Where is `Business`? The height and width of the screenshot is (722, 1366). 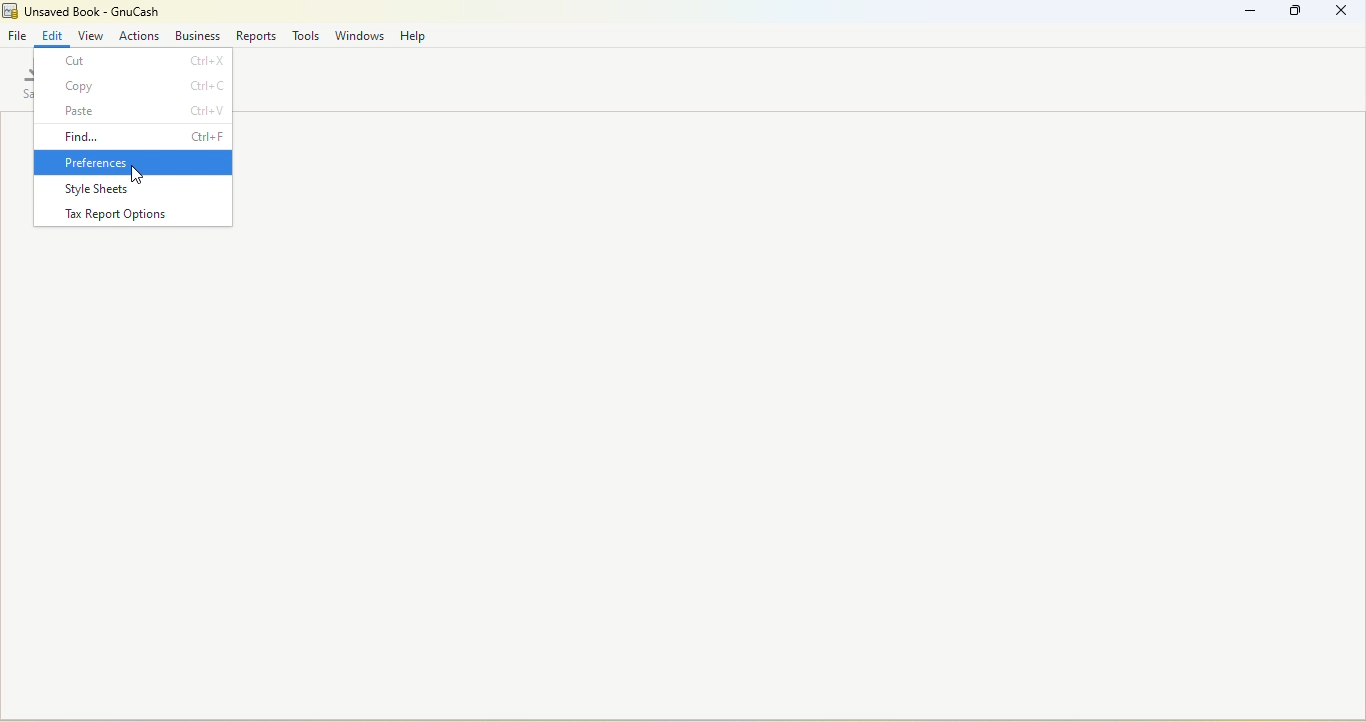
Business is located at coordinates (197, 34).